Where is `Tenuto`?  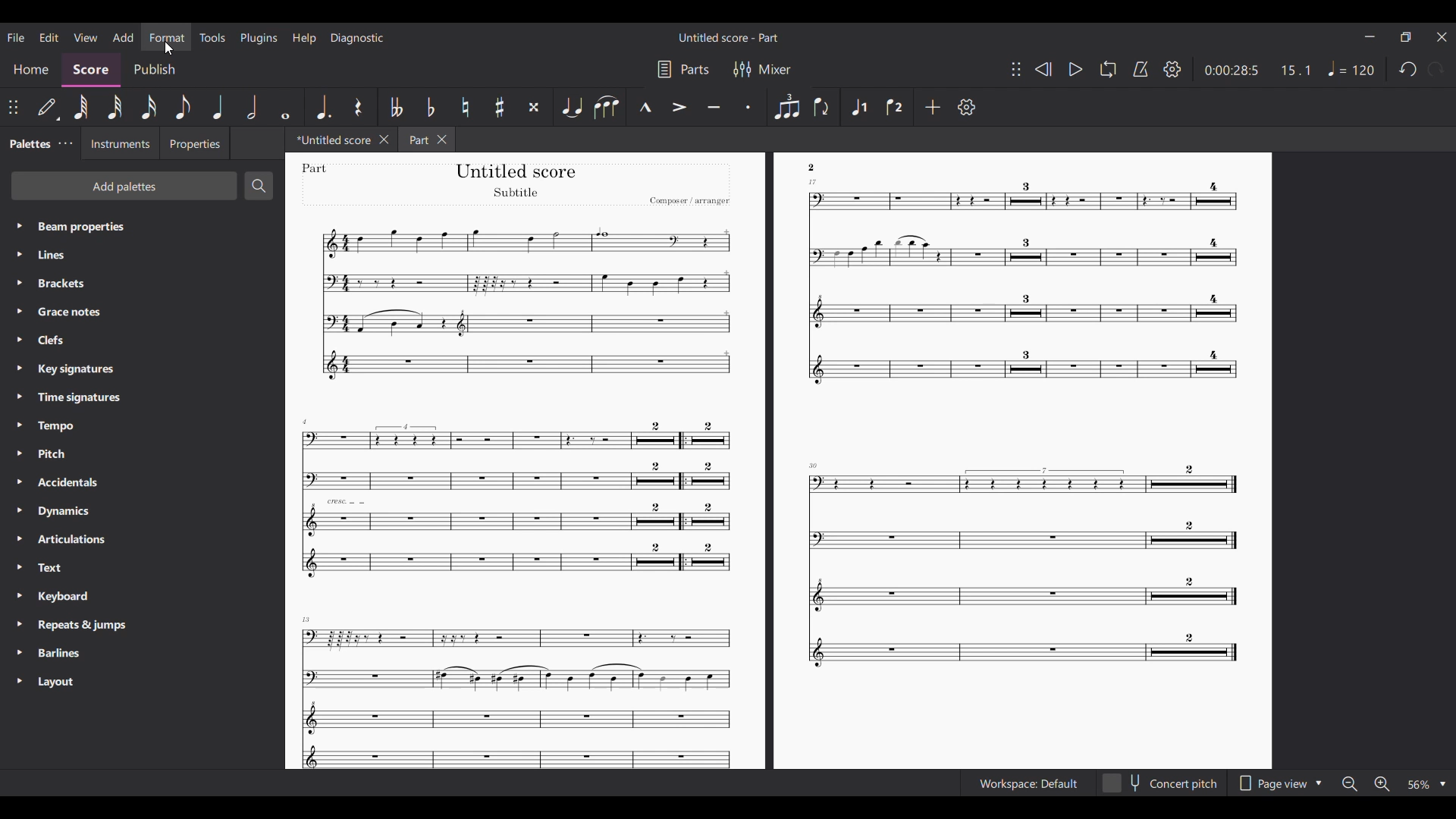 Tenuto is located at coordinates (714, 107).